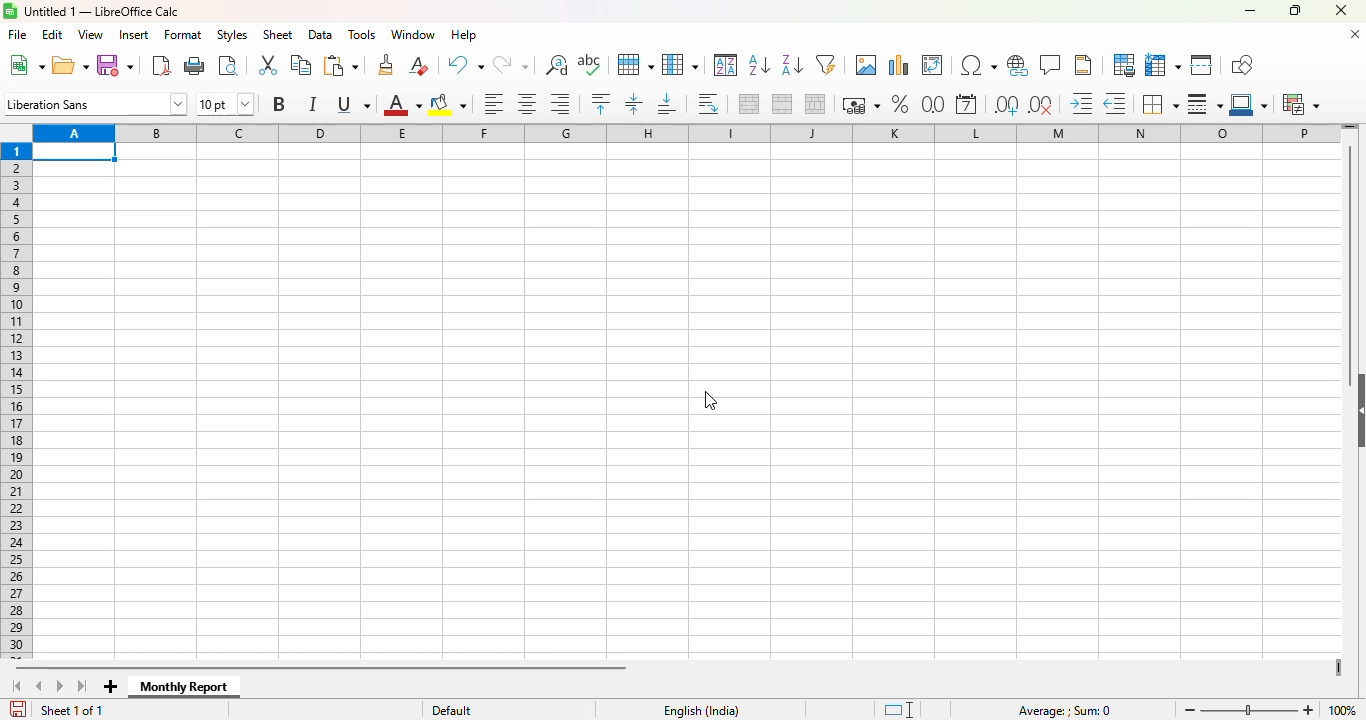 This screenshot has height=720, width=1366. I want to click on standard selection, so click(899, 710).